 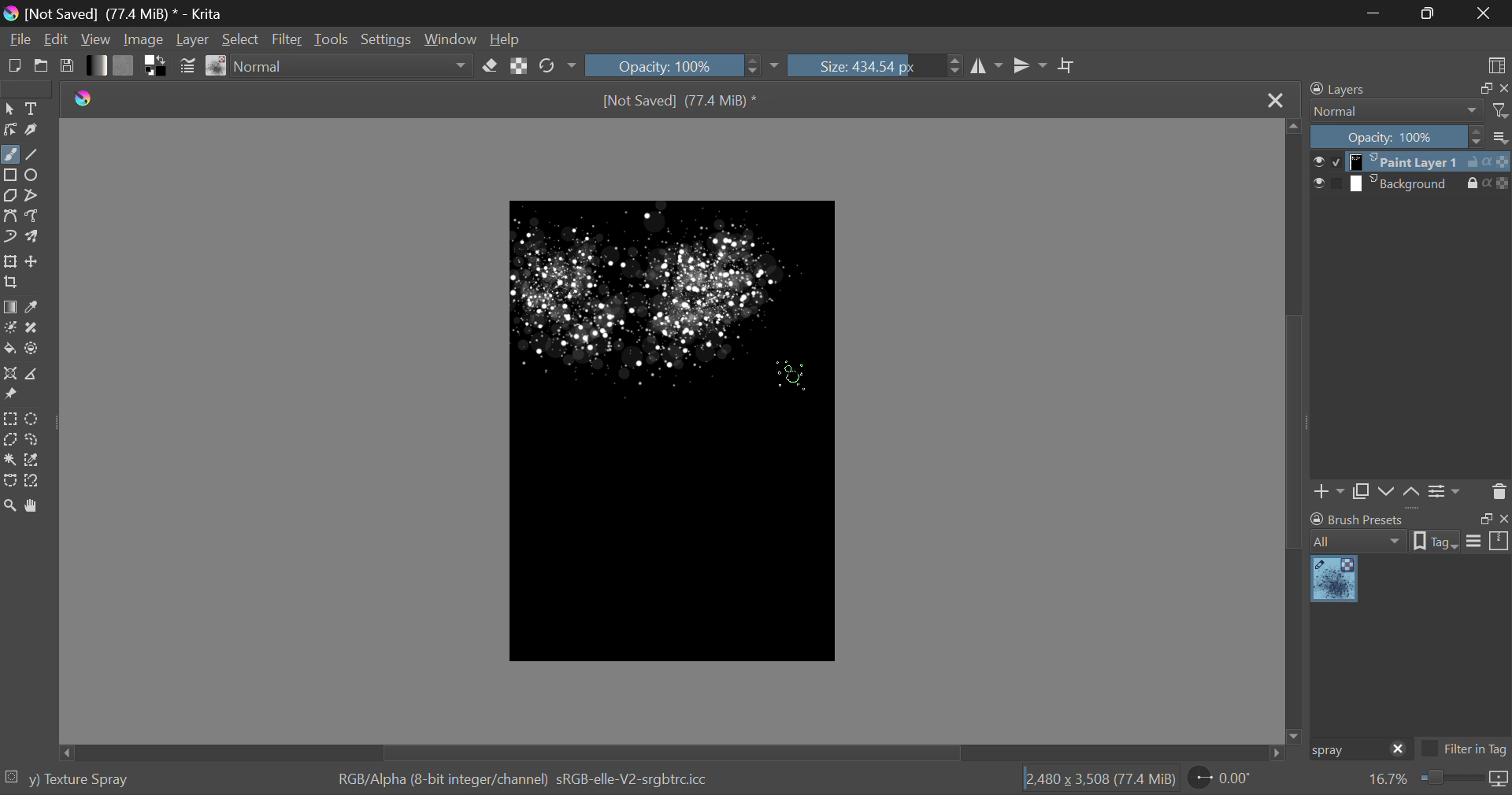 I want to click on Open, so click(x=42, y=65).